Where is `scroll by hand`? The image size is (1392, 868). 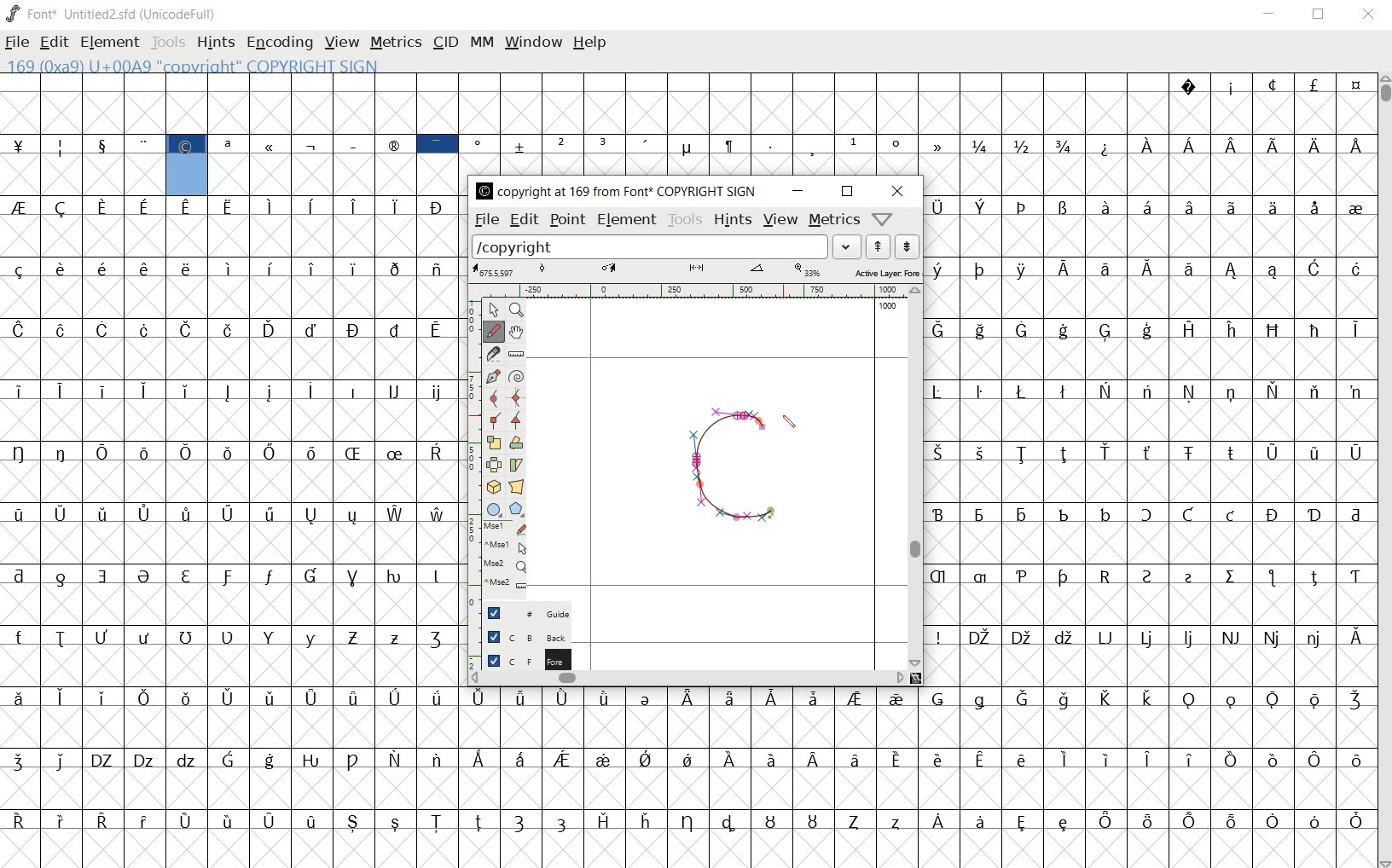 scroll by hand is located at coordinates (515, 333).